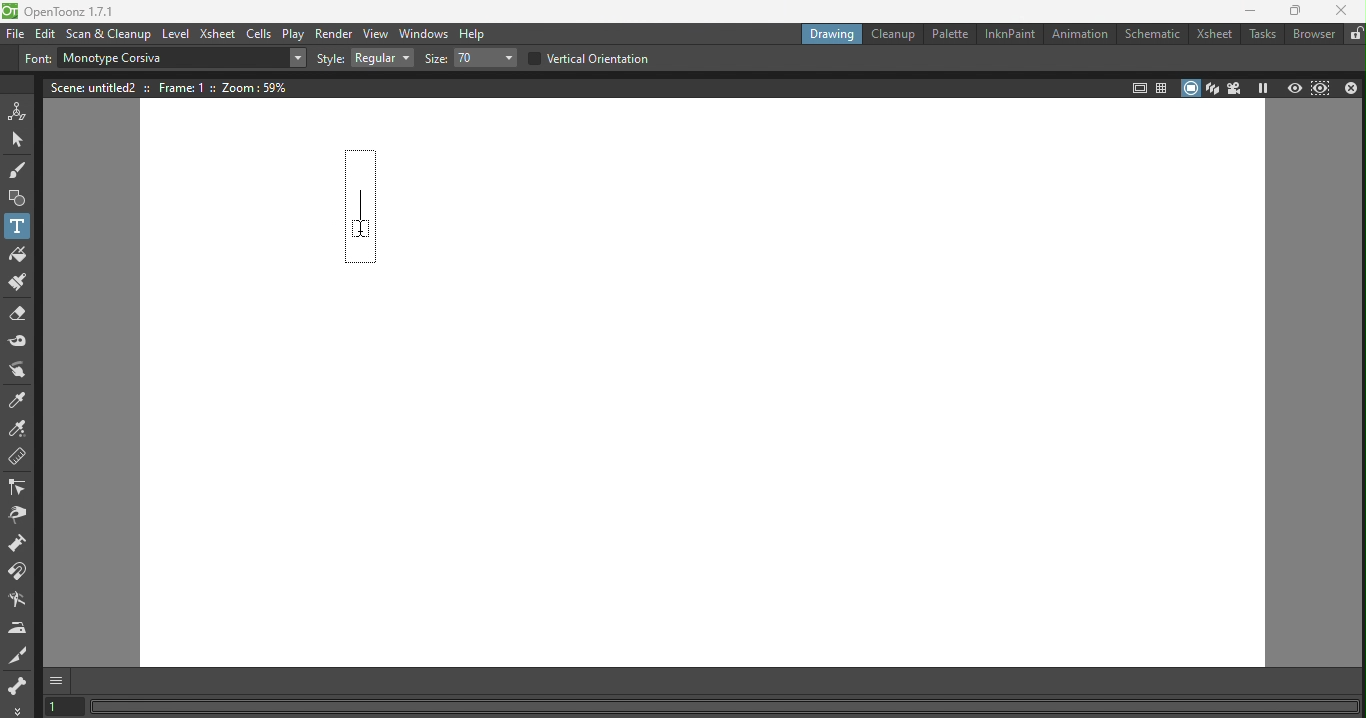  I want to click on Size, so click(434, 58).